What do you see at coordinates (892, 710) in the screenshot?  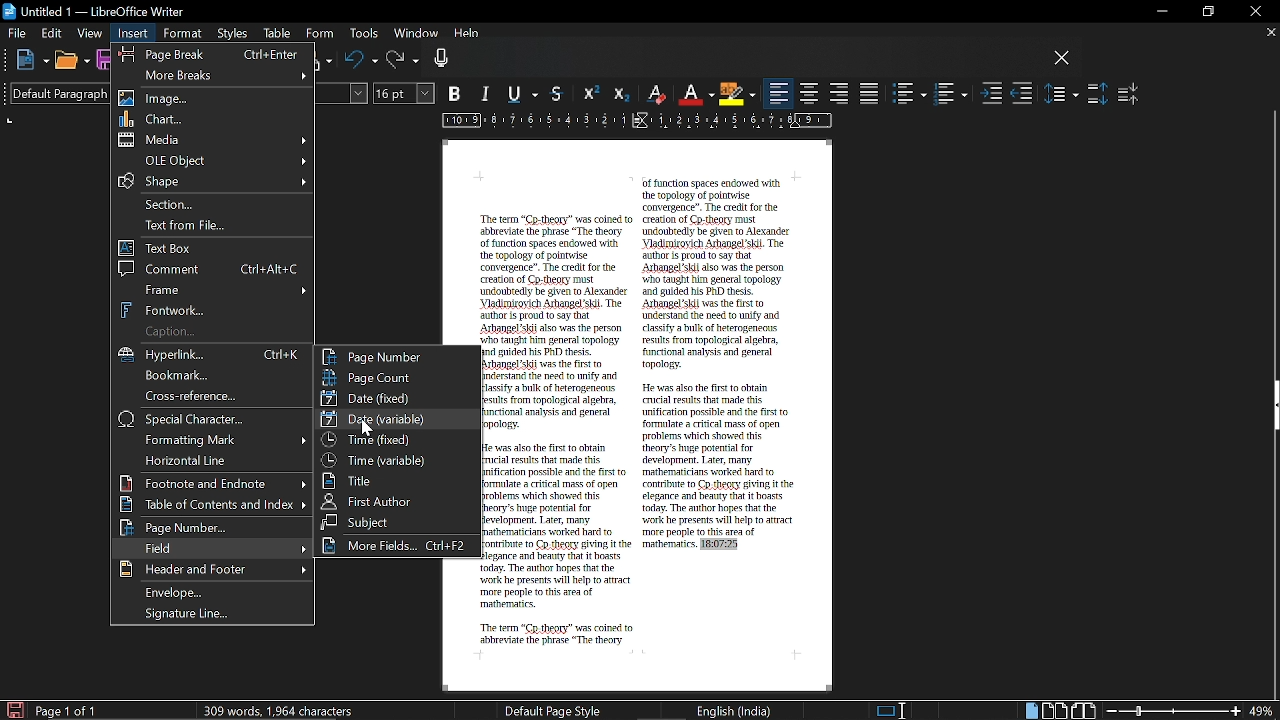 I see `Standard selection` at bounding box center [892, 710].